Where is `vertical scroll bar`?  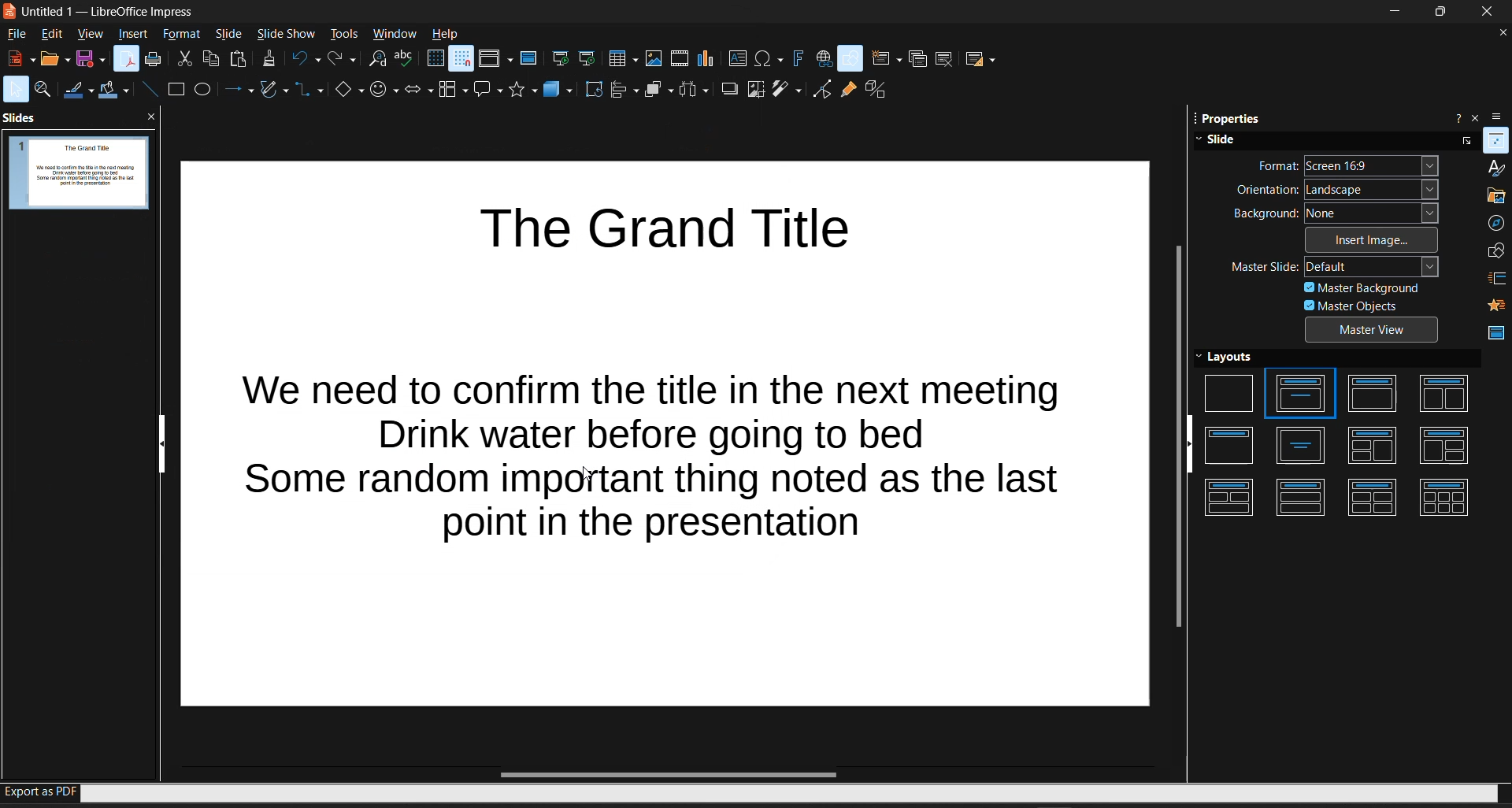 vertical scroll bar is located at coordinates (1178, 437).